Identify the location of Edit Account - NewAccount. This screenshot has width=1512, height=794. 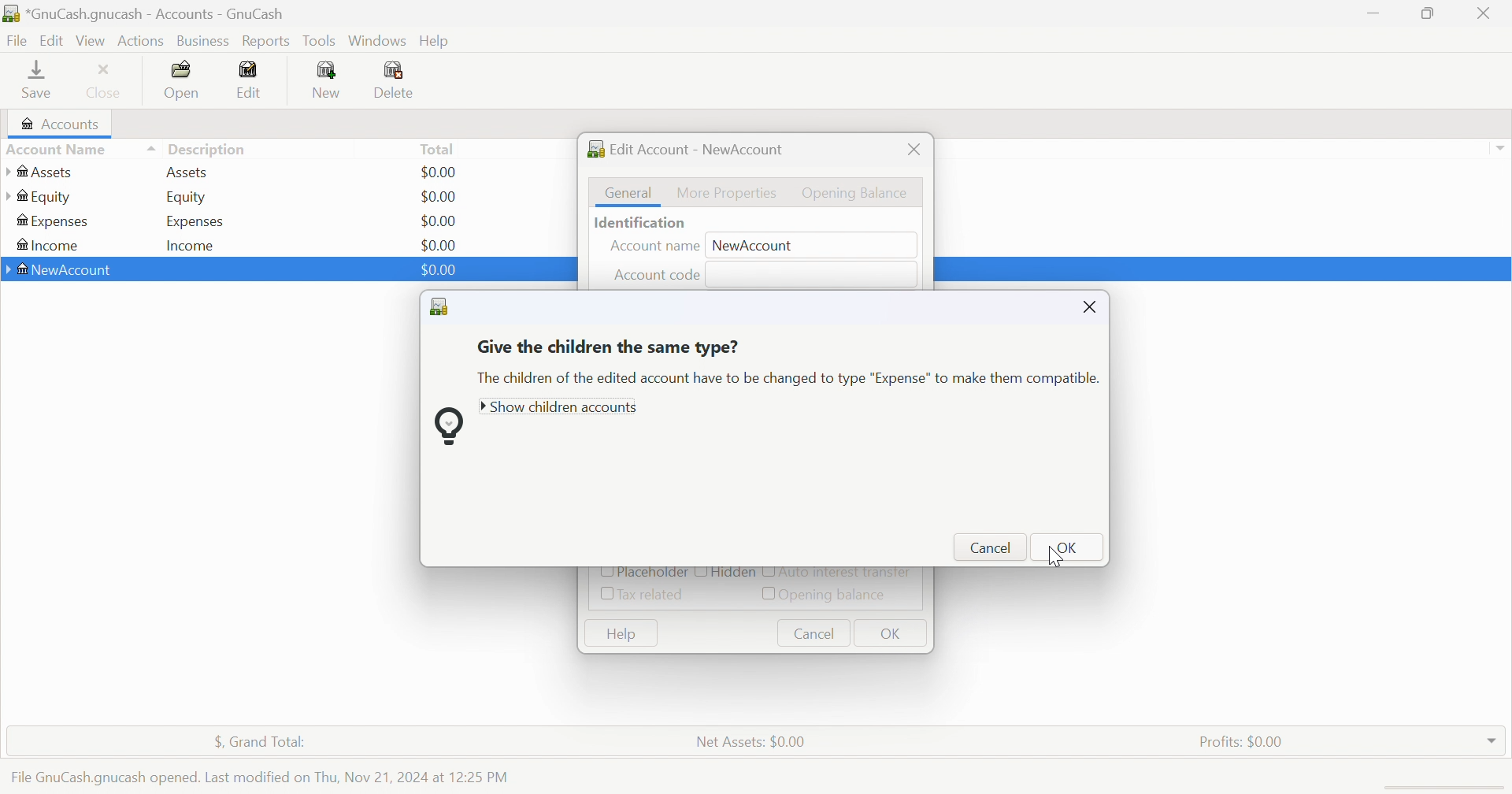
(687, 149).